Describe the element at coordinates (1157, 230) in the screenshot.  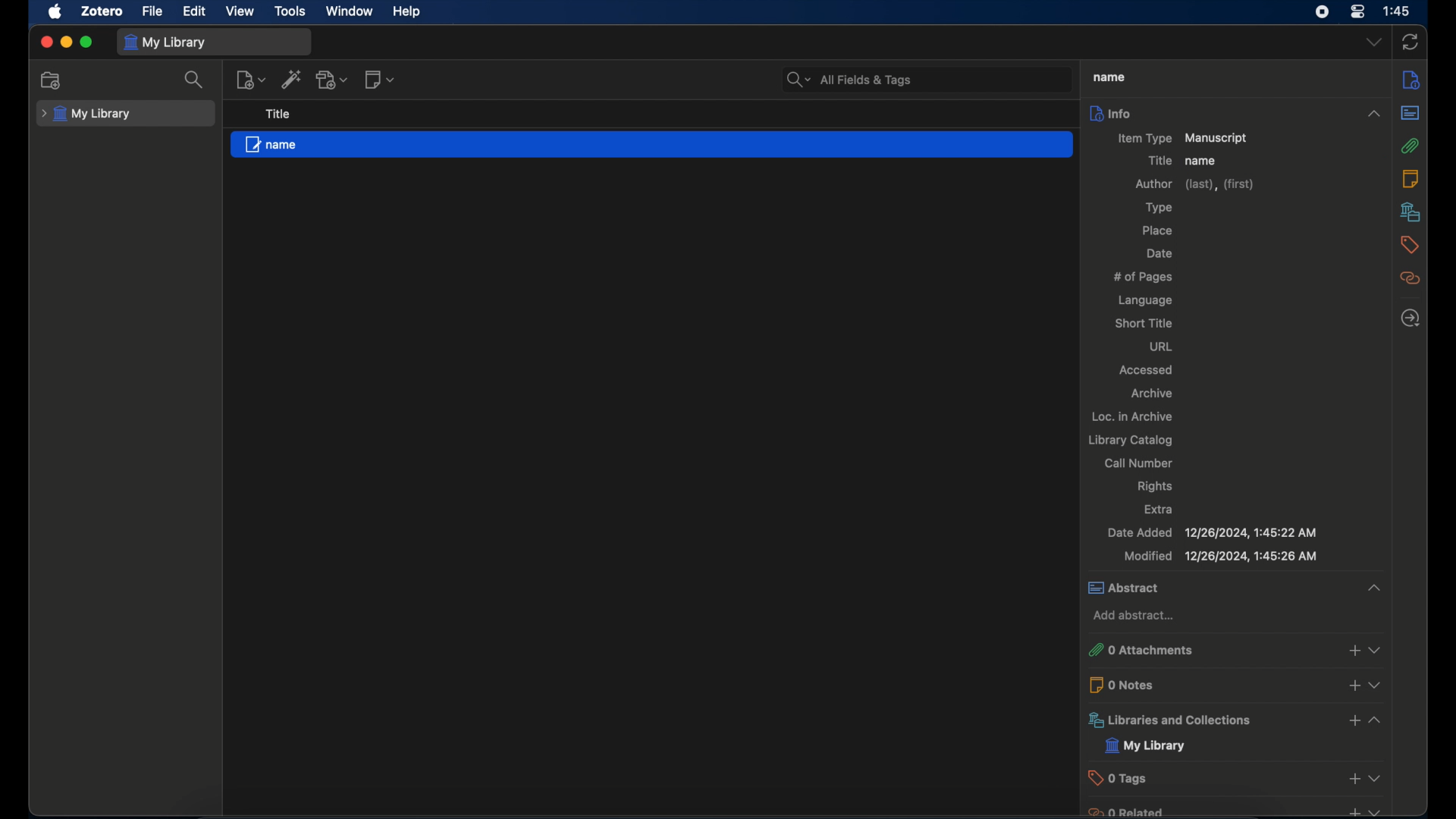
I see `place` at that location.